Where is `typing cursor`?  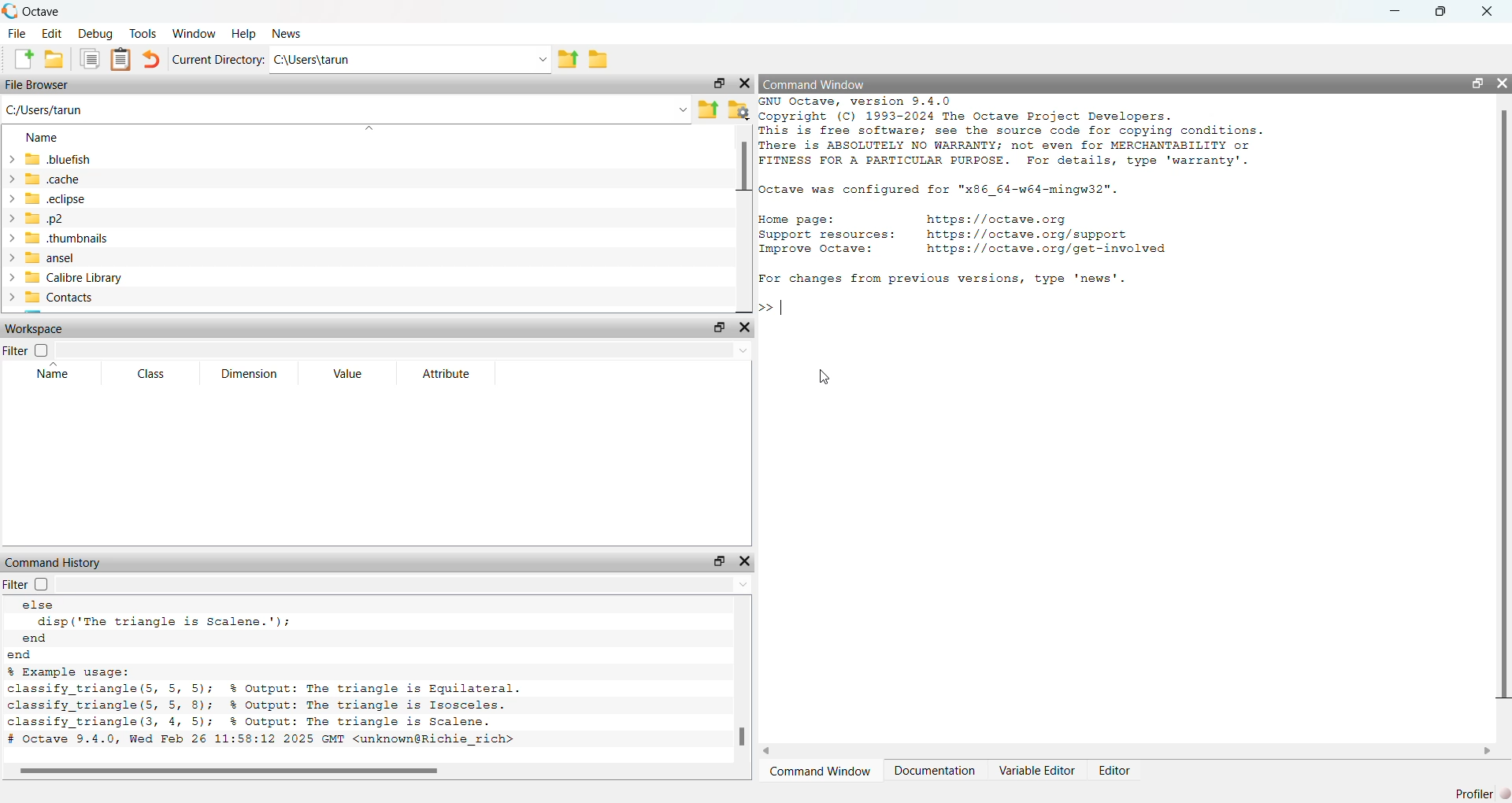 typing cursor is located at coordinates (784, 308).